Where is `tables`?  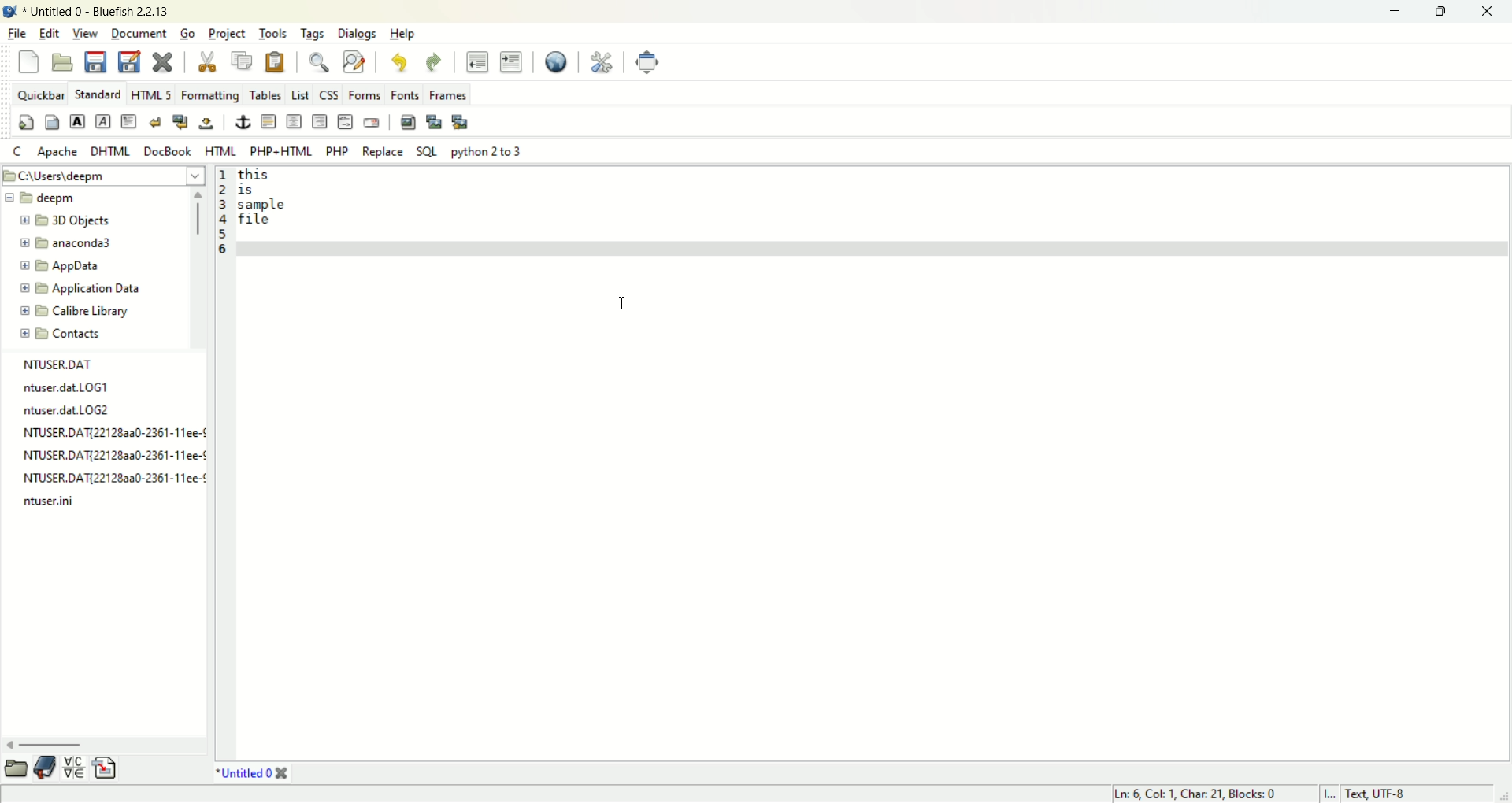 tables is located at coordinates (265, 94).